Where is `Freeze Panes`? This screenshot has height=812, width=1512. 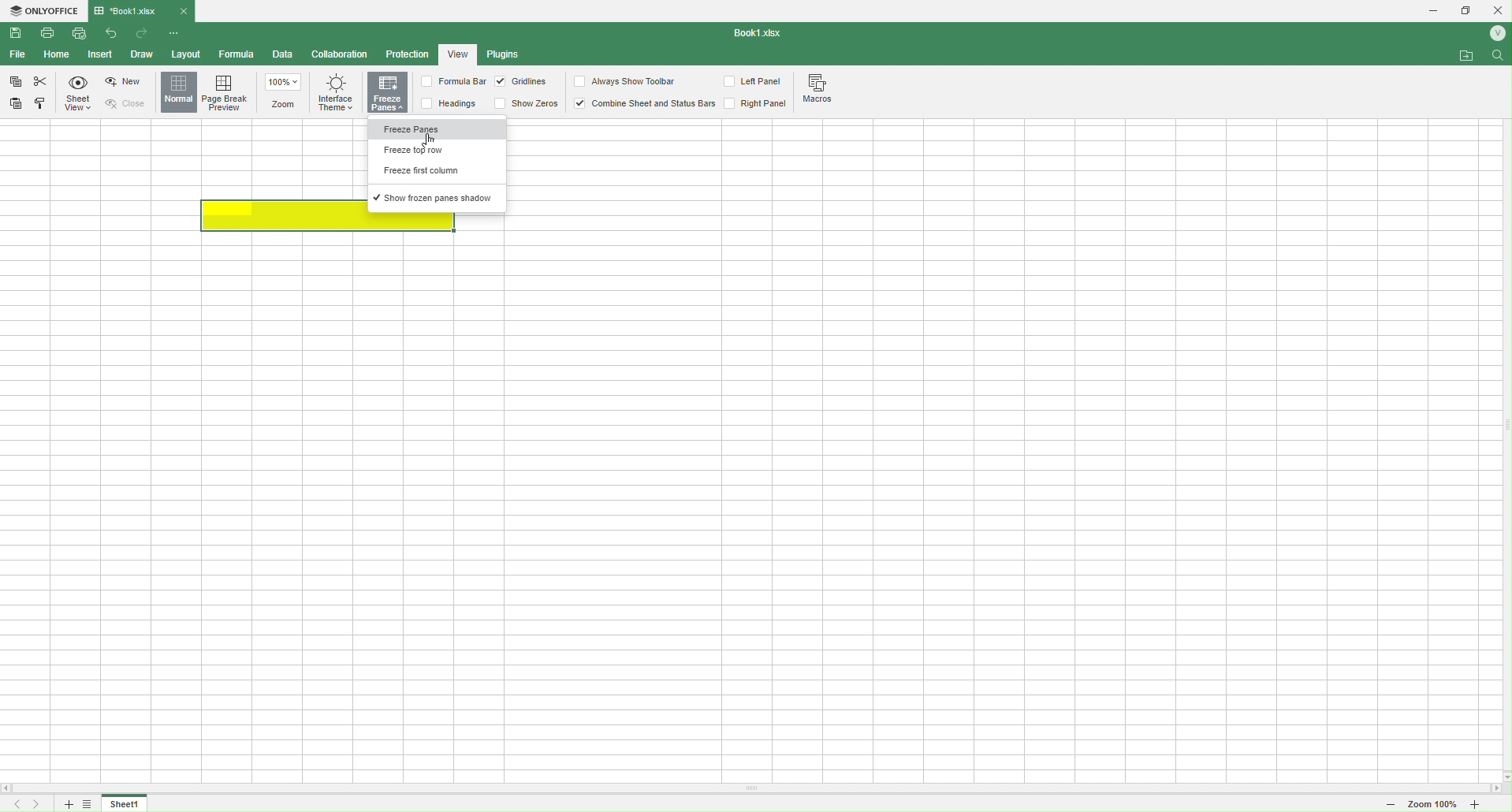
Freeze Panes is located at coordinates (388, 94).